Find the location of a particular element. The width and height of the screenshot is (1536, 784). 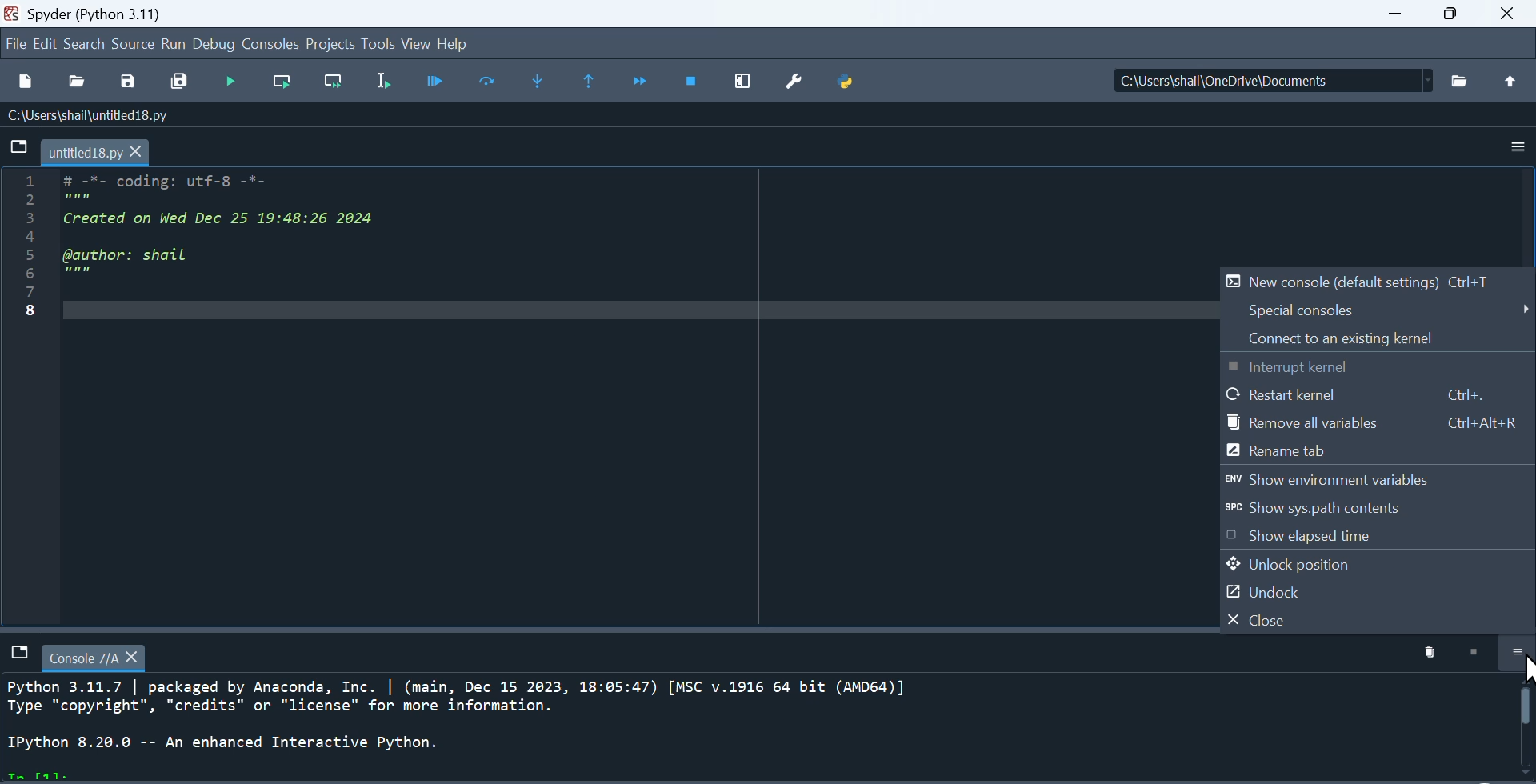

console 7/A tab is located at coordinates (97, 658).